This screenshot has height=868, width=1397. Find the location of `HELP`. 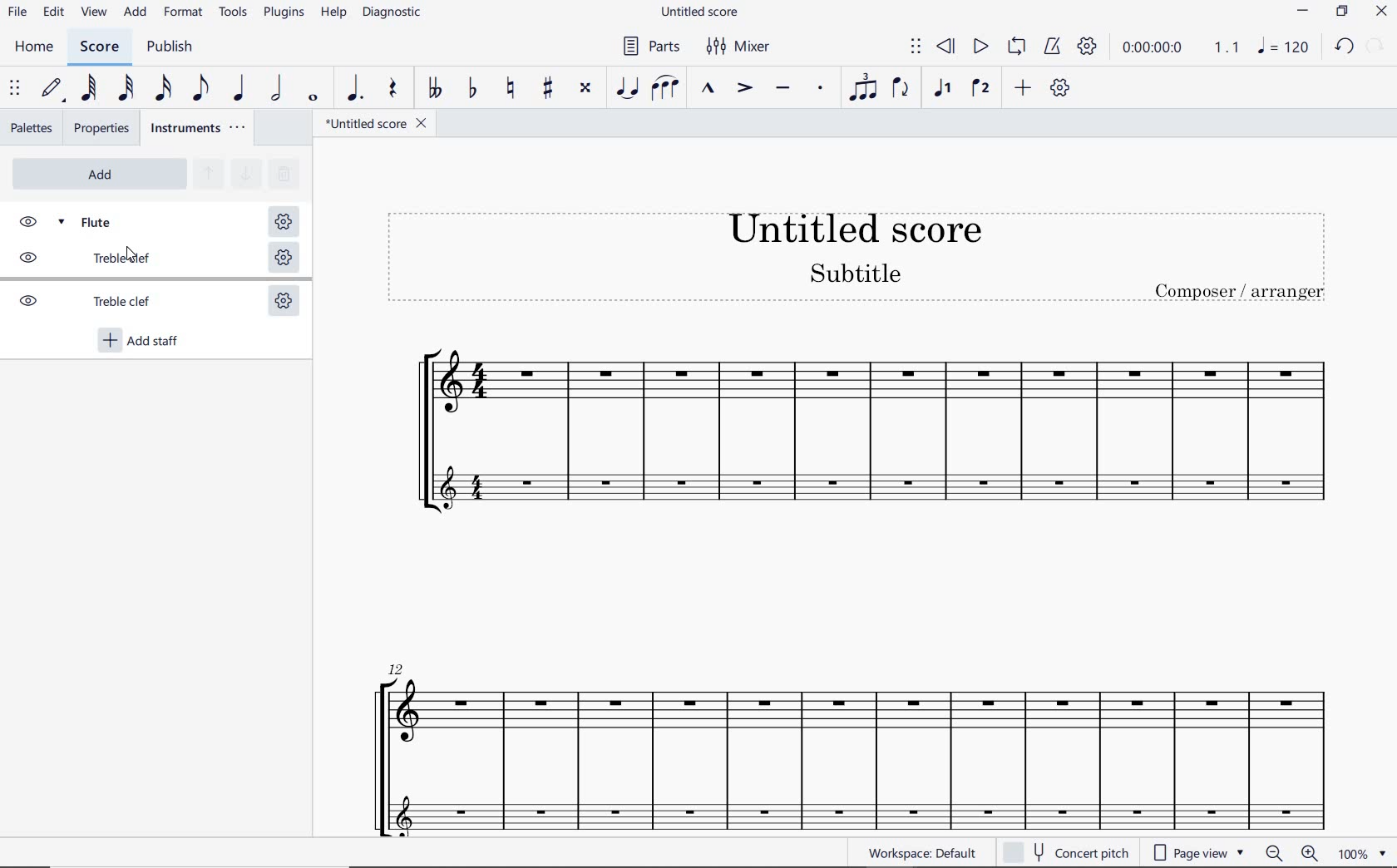

HELP is located at coordinates (334, 15).